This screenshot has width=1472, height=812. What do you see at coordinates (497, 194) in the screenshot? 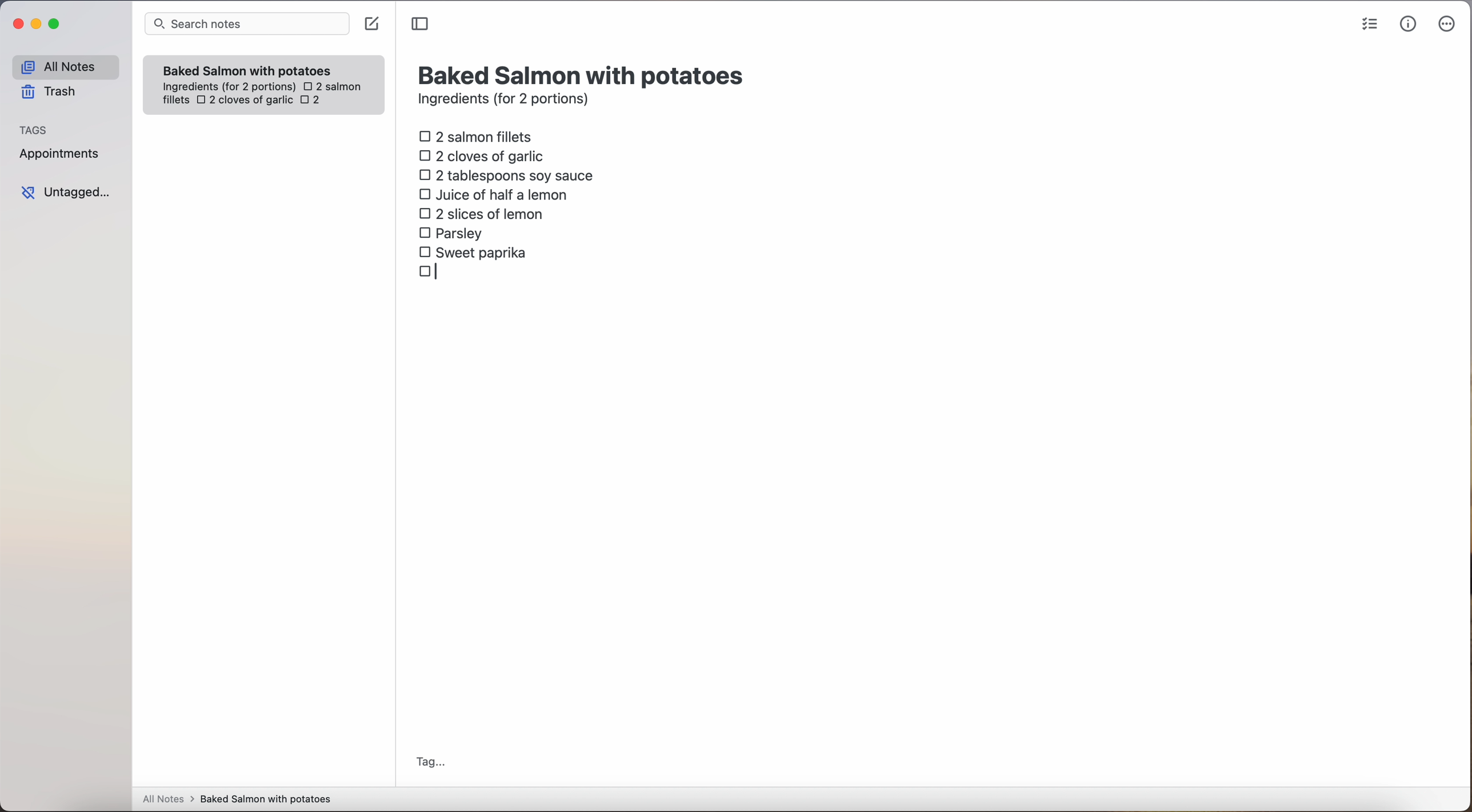
I see `juice of half a lemon` at bounding box center [497, 194].